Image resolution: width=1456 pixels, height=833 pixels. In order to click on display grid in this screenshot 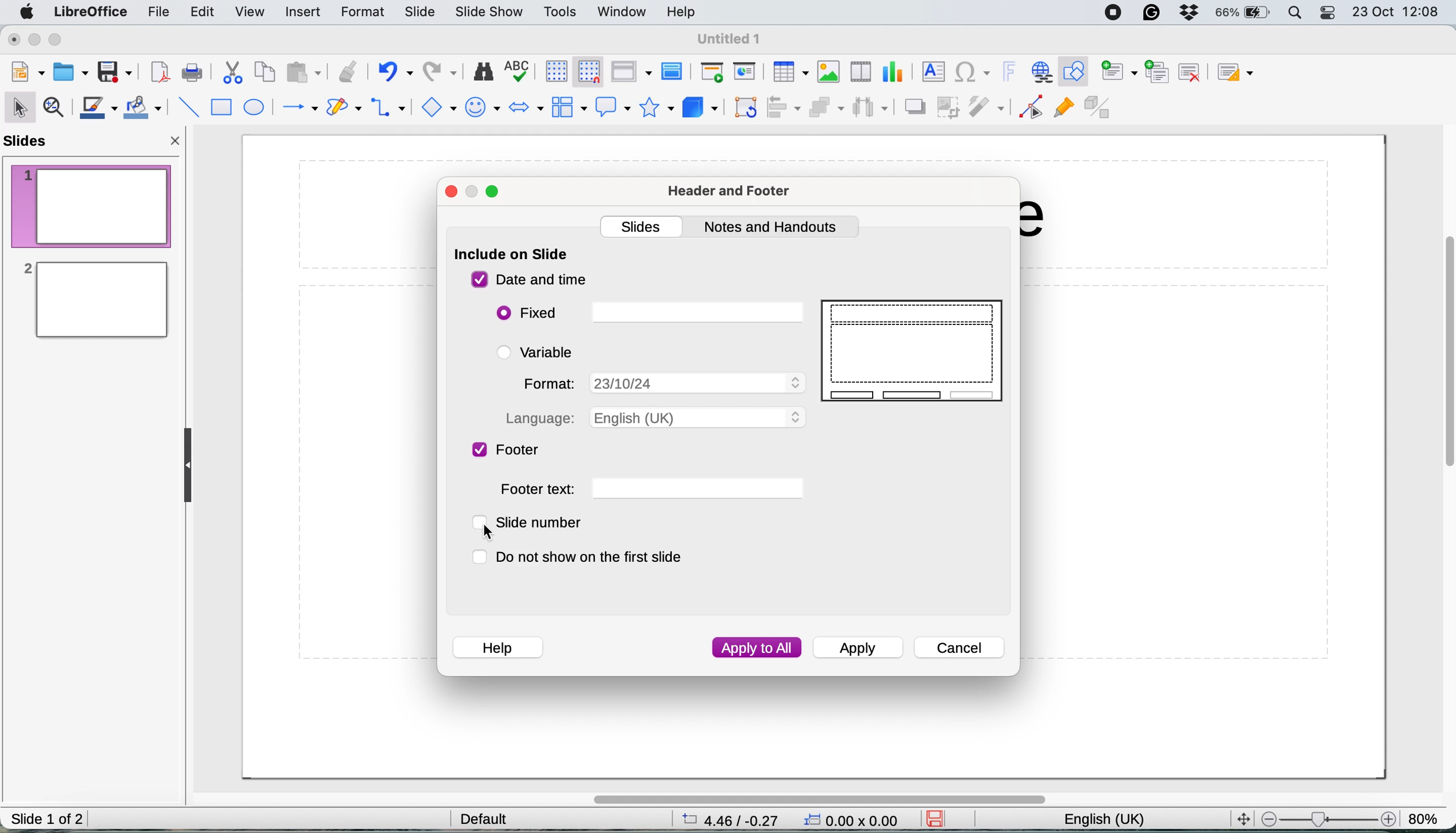, I will do `click(552, 70)`.